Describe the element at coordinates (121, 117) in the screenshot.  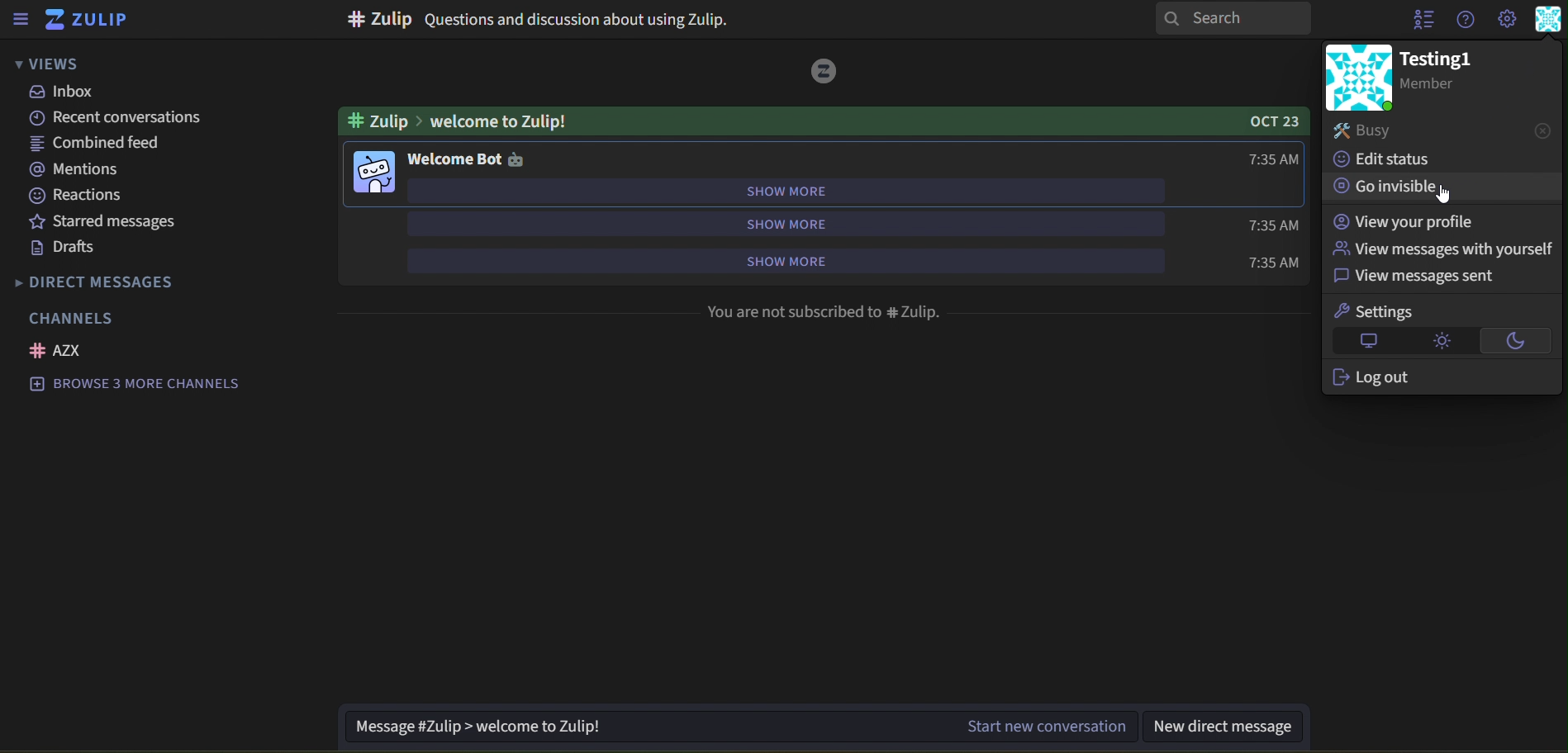
I see `recent conversations` at that location.